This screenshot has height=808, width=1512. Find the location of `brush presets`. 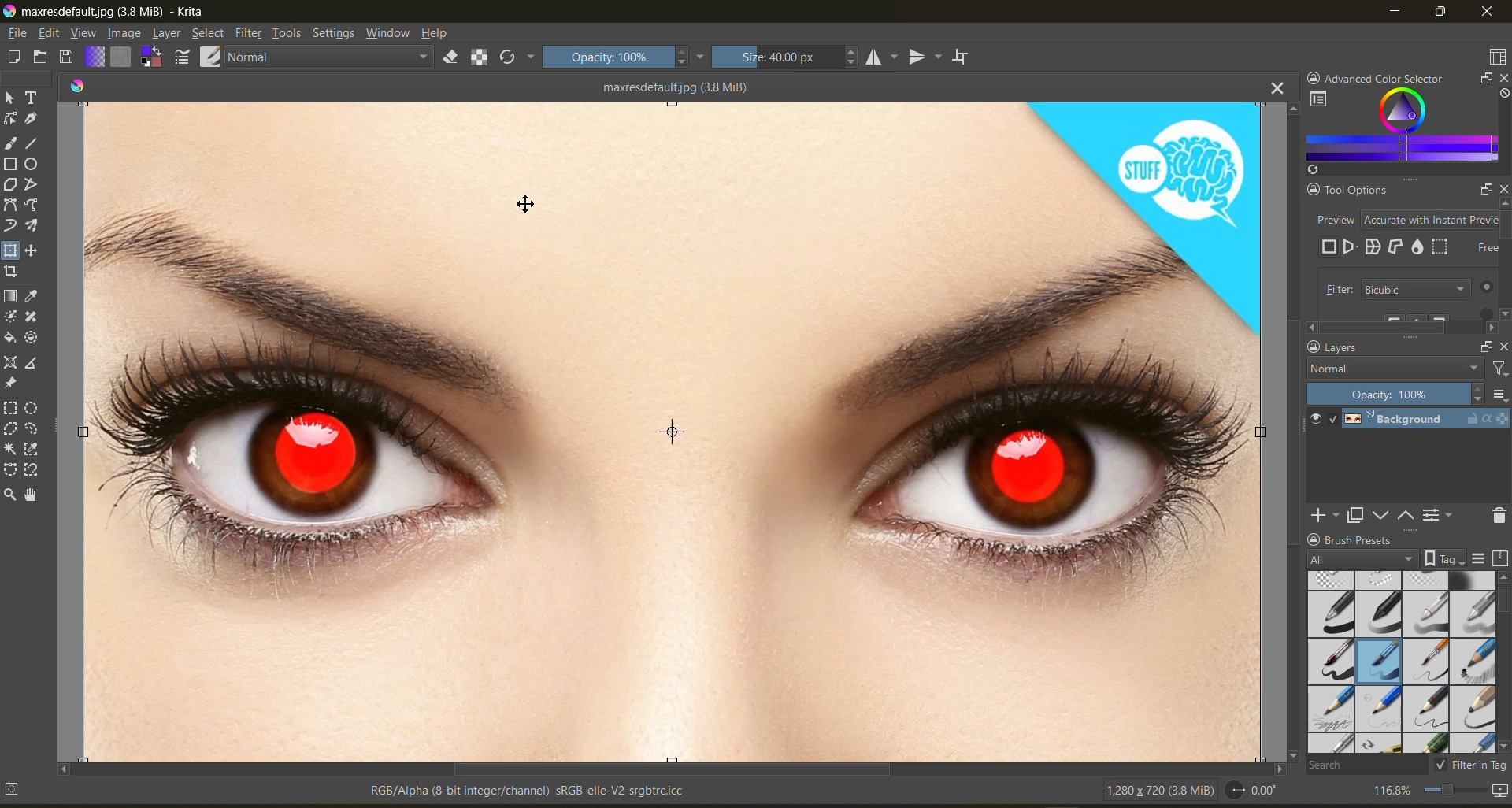

brush presets is located at coordinates (1401, 660).